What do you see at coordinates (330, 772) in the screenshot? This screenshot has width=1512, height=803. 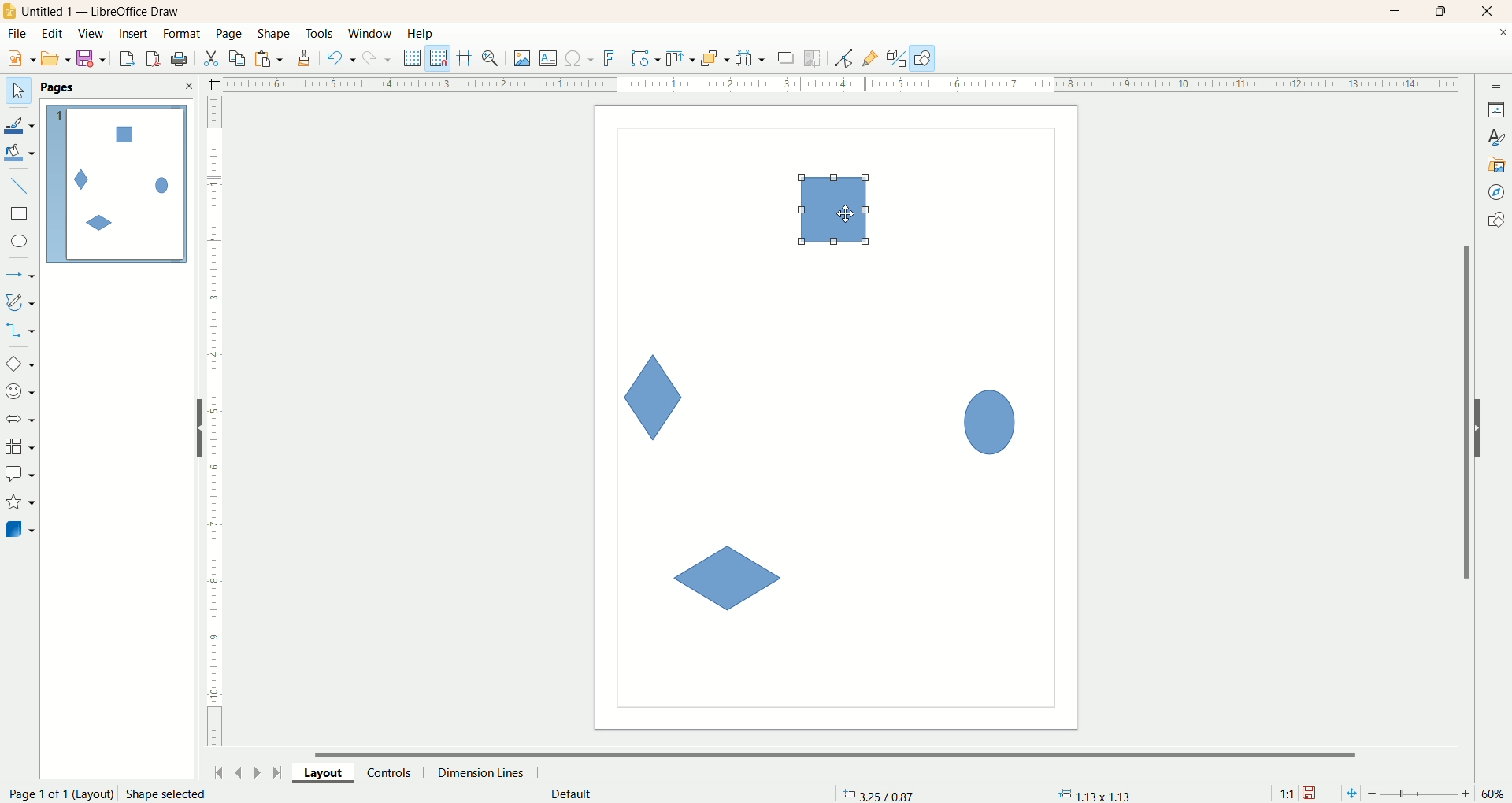 I see `layout` at bounding box center [330, 772].